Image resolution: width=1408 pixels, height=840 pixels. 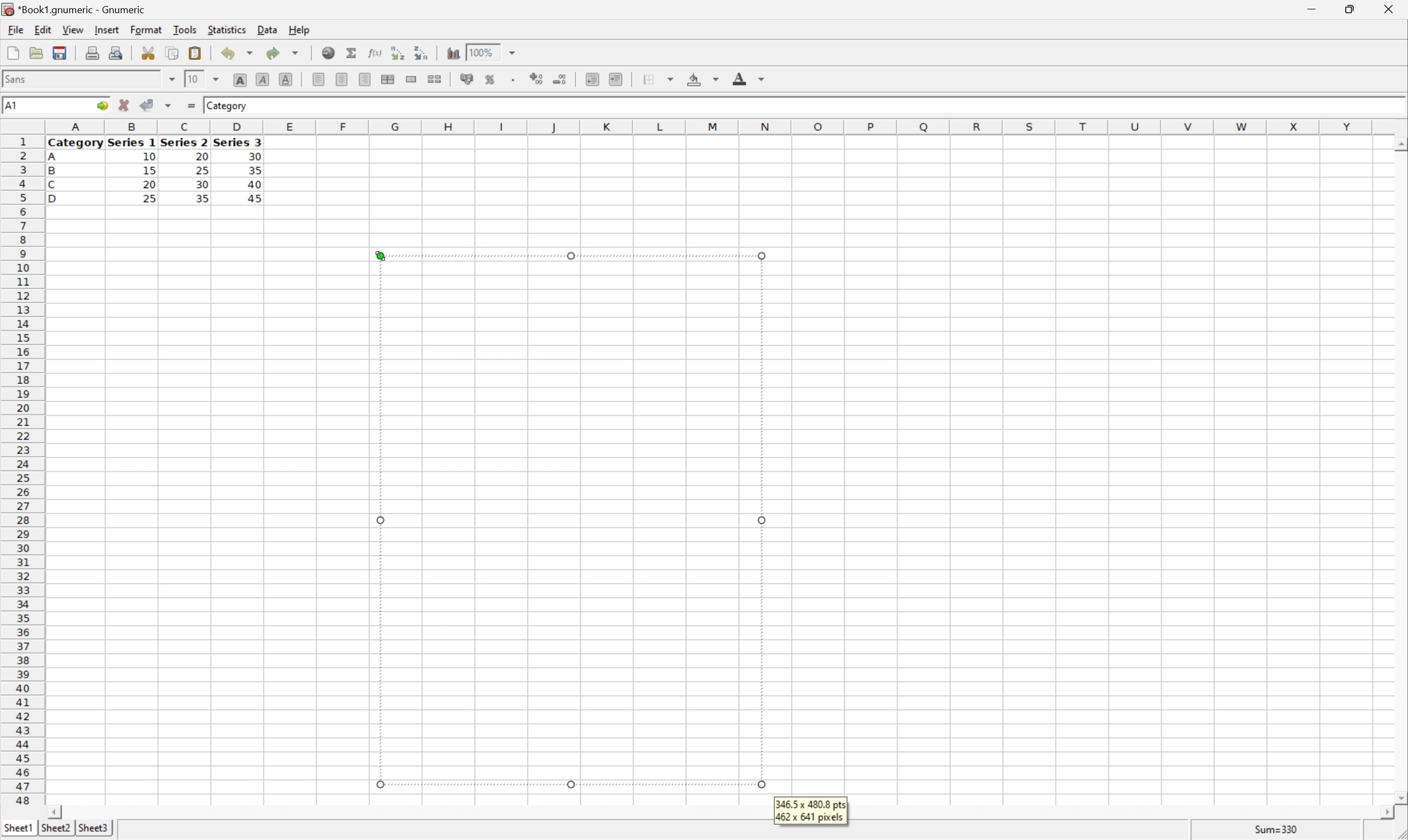 What do you see at coordinates (124, 103) in the screenshot?
I see `Cancel changes` at bounding box center [124, 103].